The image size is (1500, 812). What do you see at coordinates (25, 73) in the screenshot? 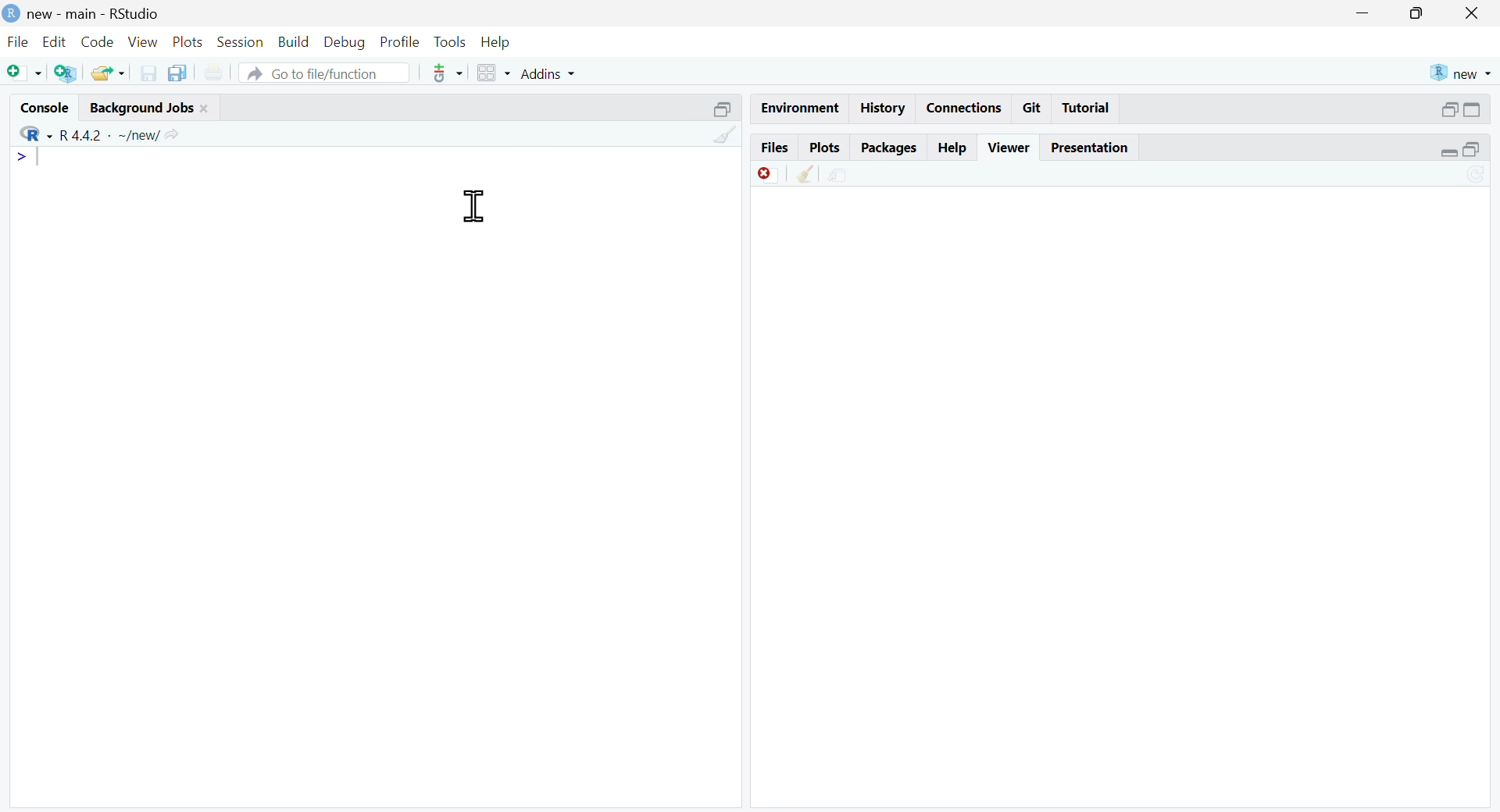
I see `Add file as` at bounding box center [25, 73].